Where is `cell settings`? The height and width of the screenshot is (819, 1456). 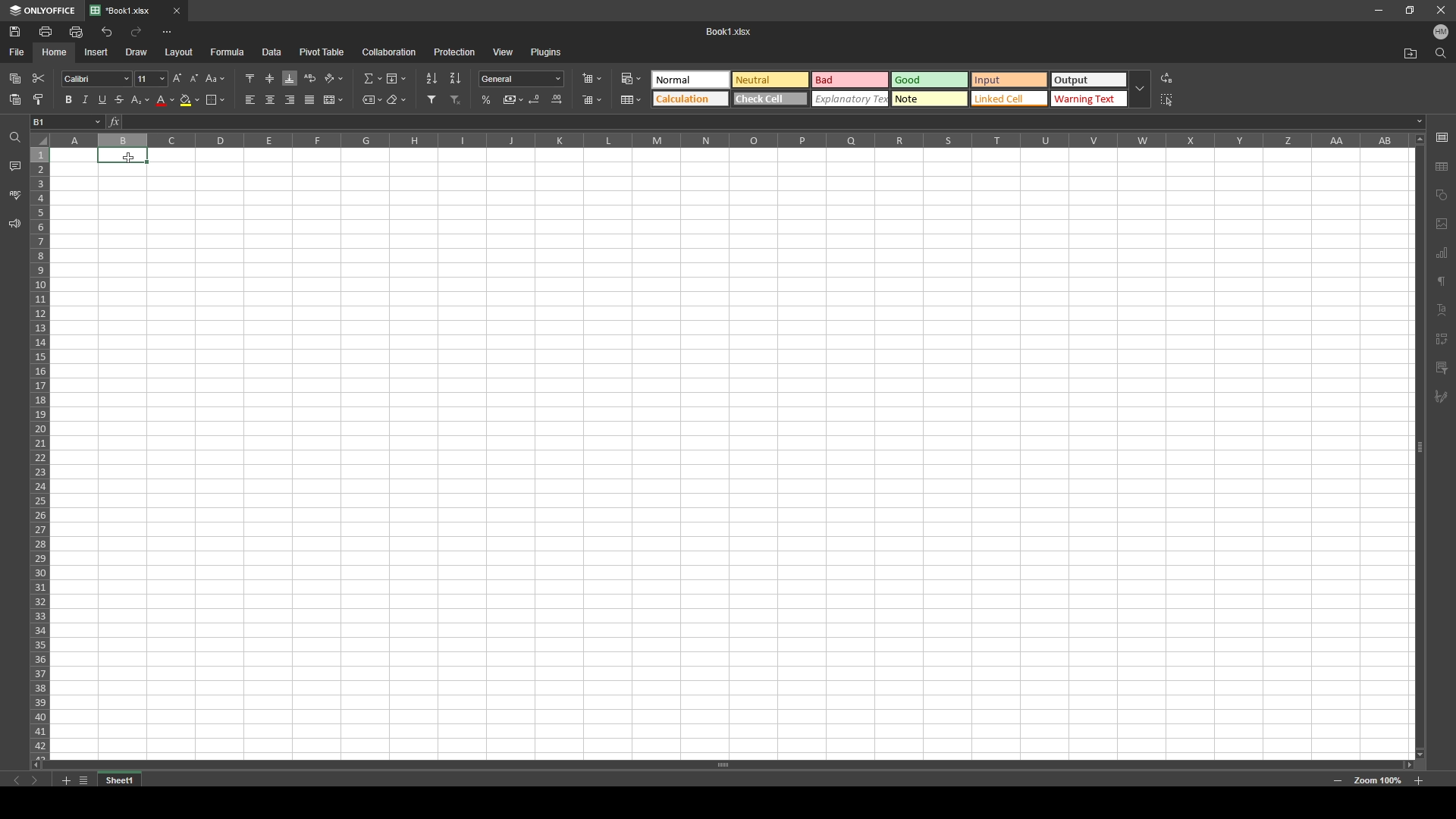
cell settings is located at coordinates (1442, 136).